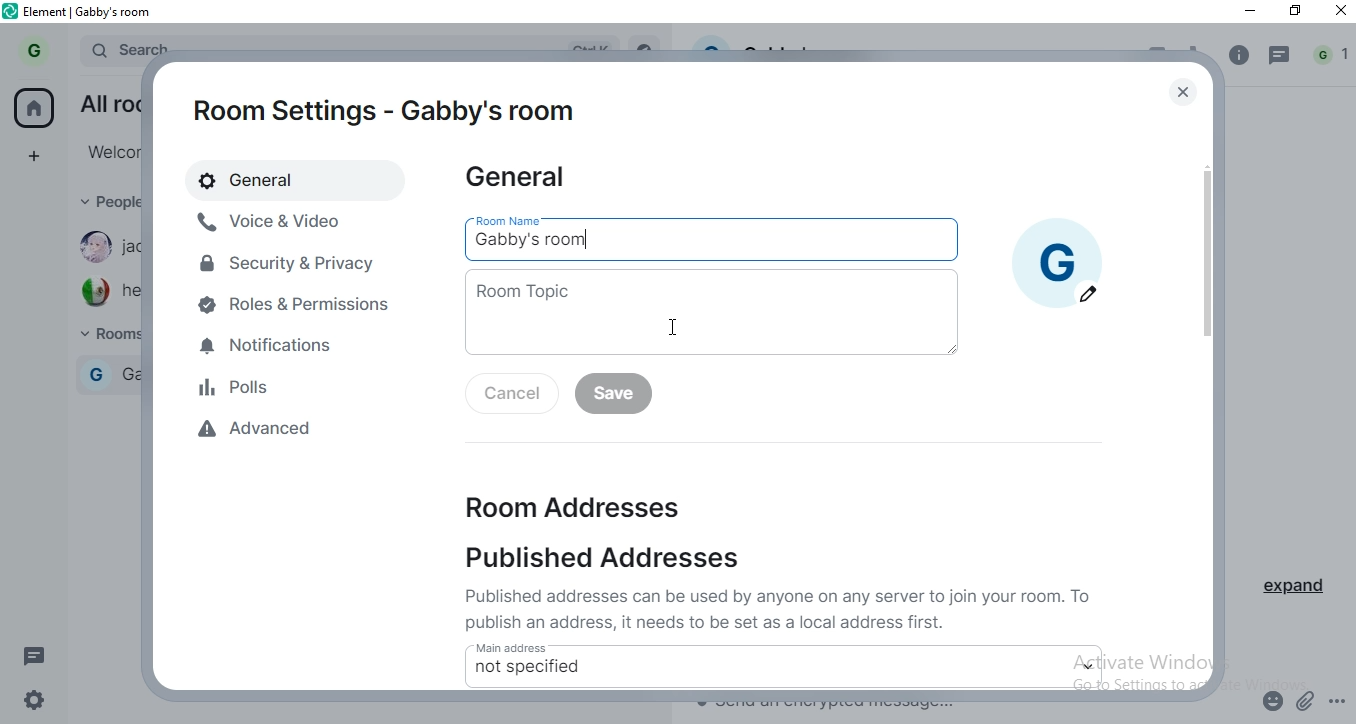 The width and height of the screenshot is (1356, 724). What do you see at coordinates (106, 101) in the screenshot?
I see `all rooms` at bounding box center [106, 101].